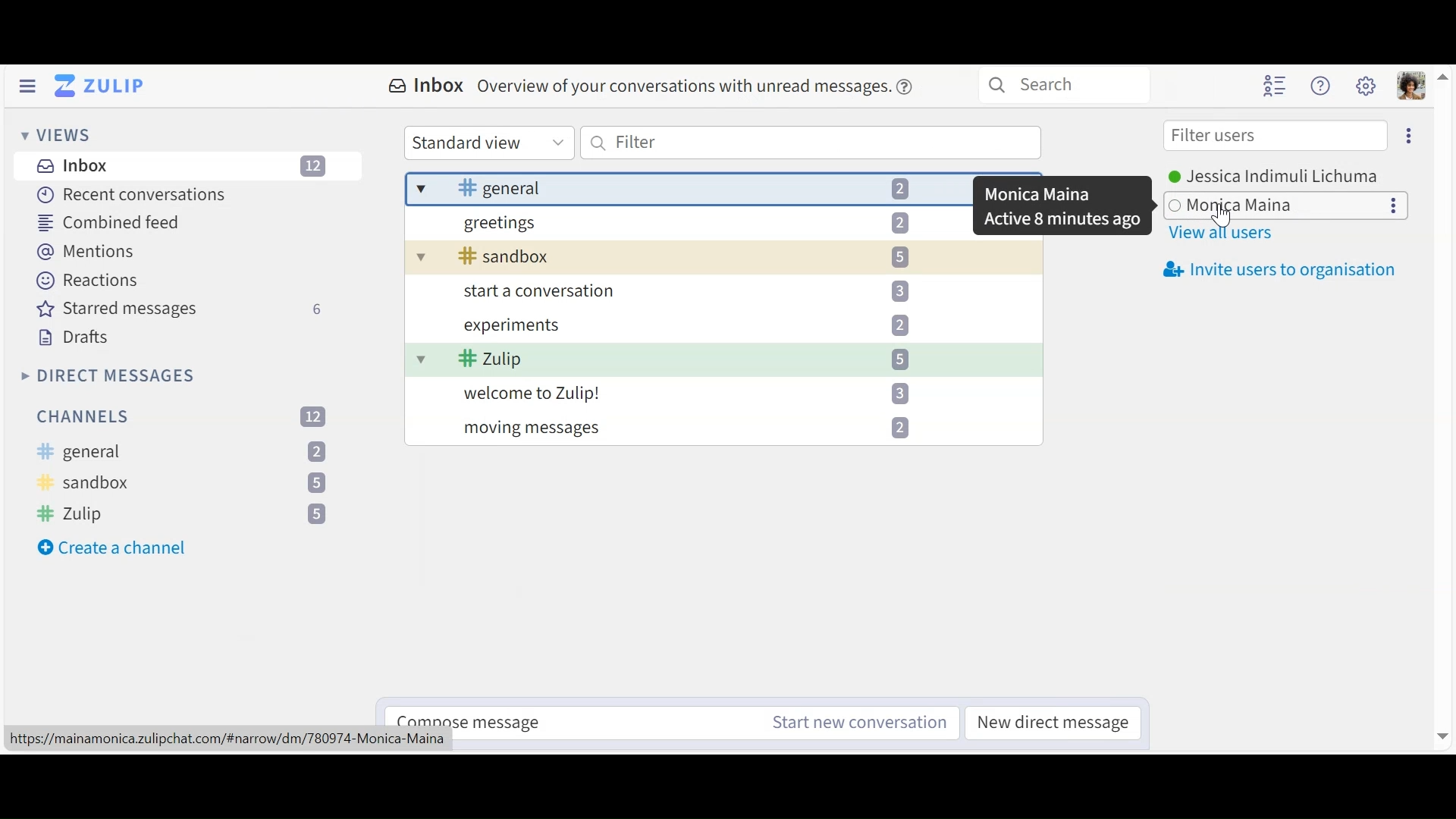  Describe the element at coordinates (234, 741) in the screenshot. I see `url` at that location.